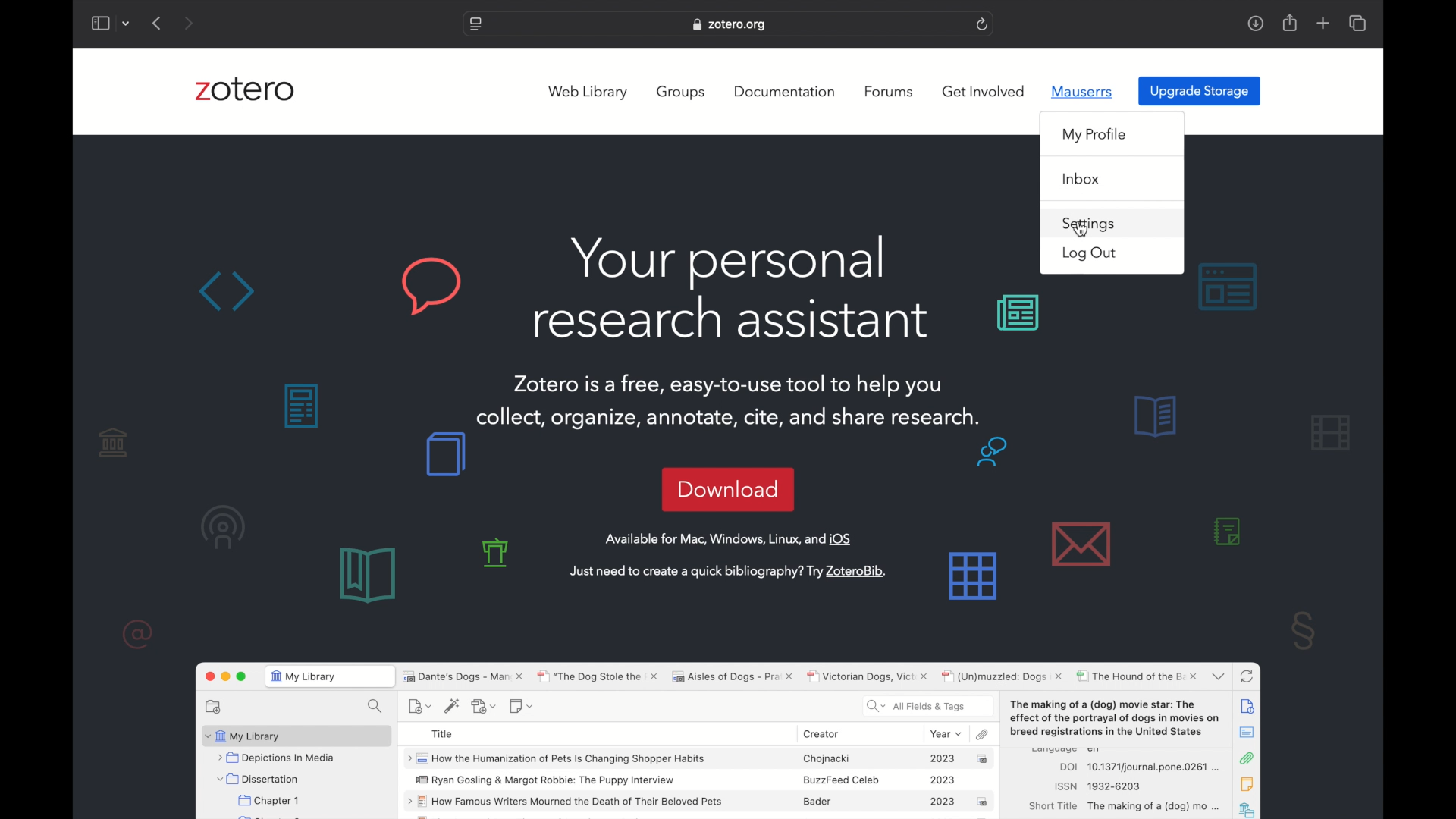 This screenshot has width=1456, height=819. What do you see at coordinates (126, 23) in the screenshot?
I see `dropdown` at bounding box center [126, 23].